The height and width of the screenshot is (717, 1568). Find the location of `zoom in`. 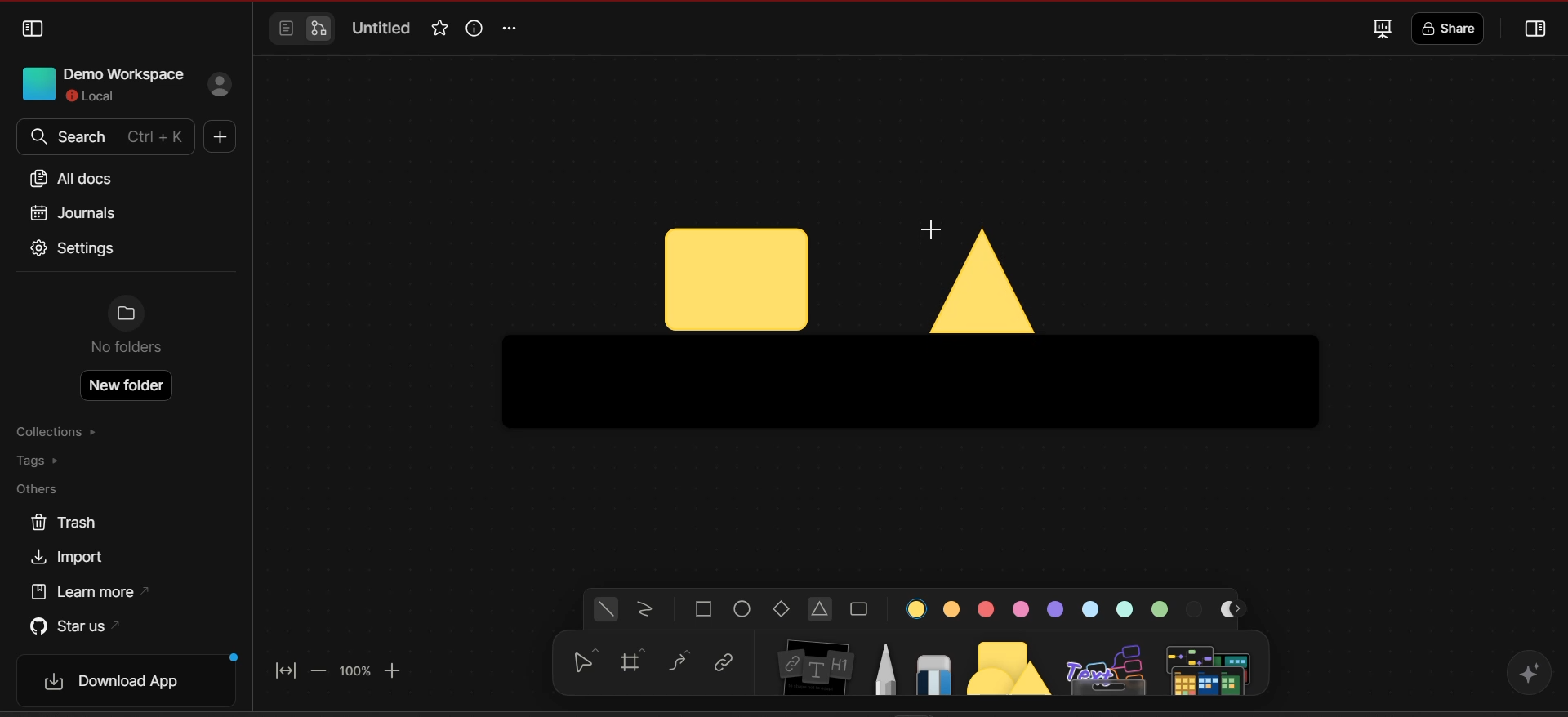

zoom in is located at coordinates (396, 670).